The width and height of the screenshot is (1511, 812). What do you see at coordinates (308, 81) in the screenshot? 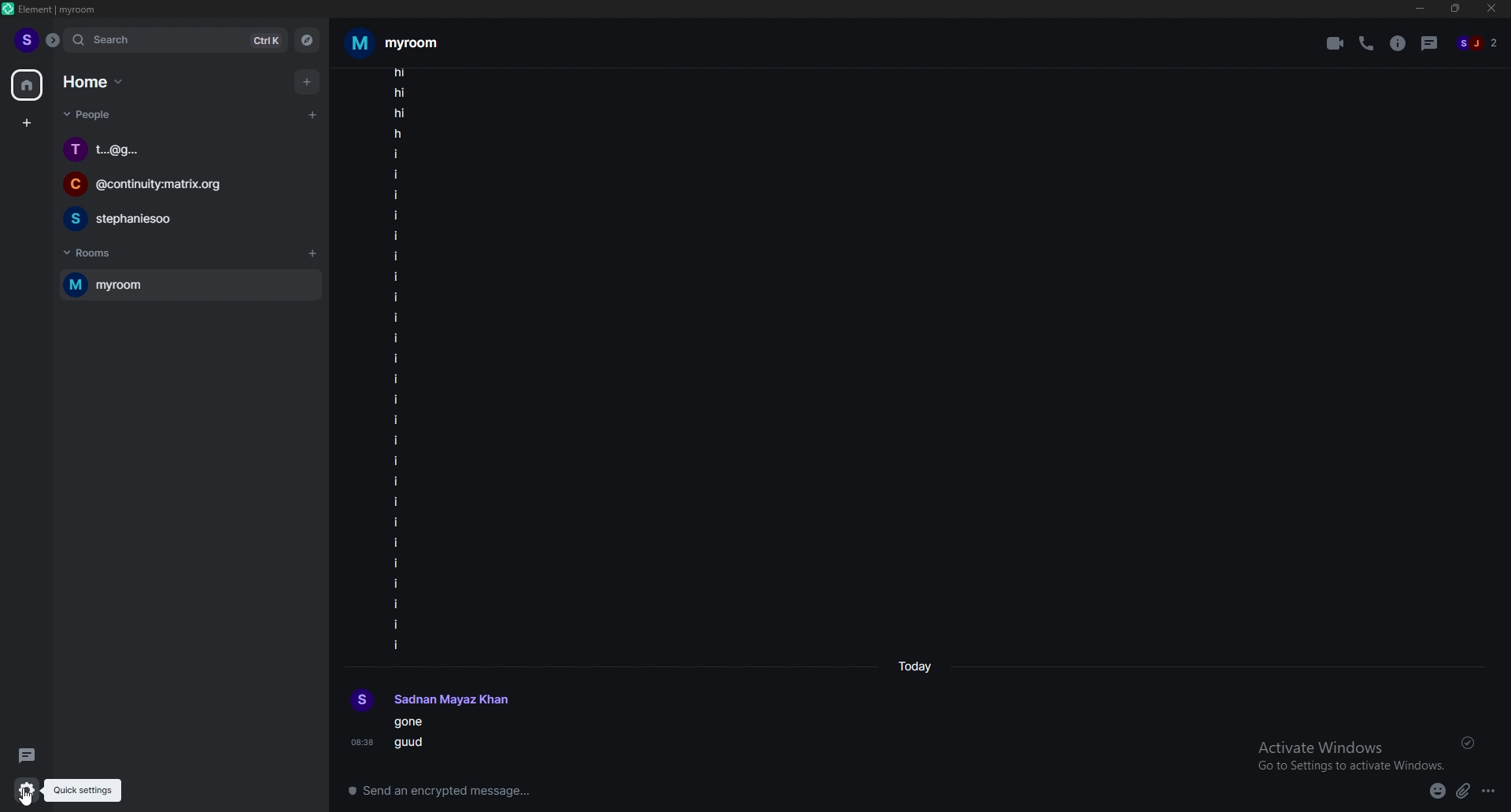
I see `add` at bounding box center [308, 81].